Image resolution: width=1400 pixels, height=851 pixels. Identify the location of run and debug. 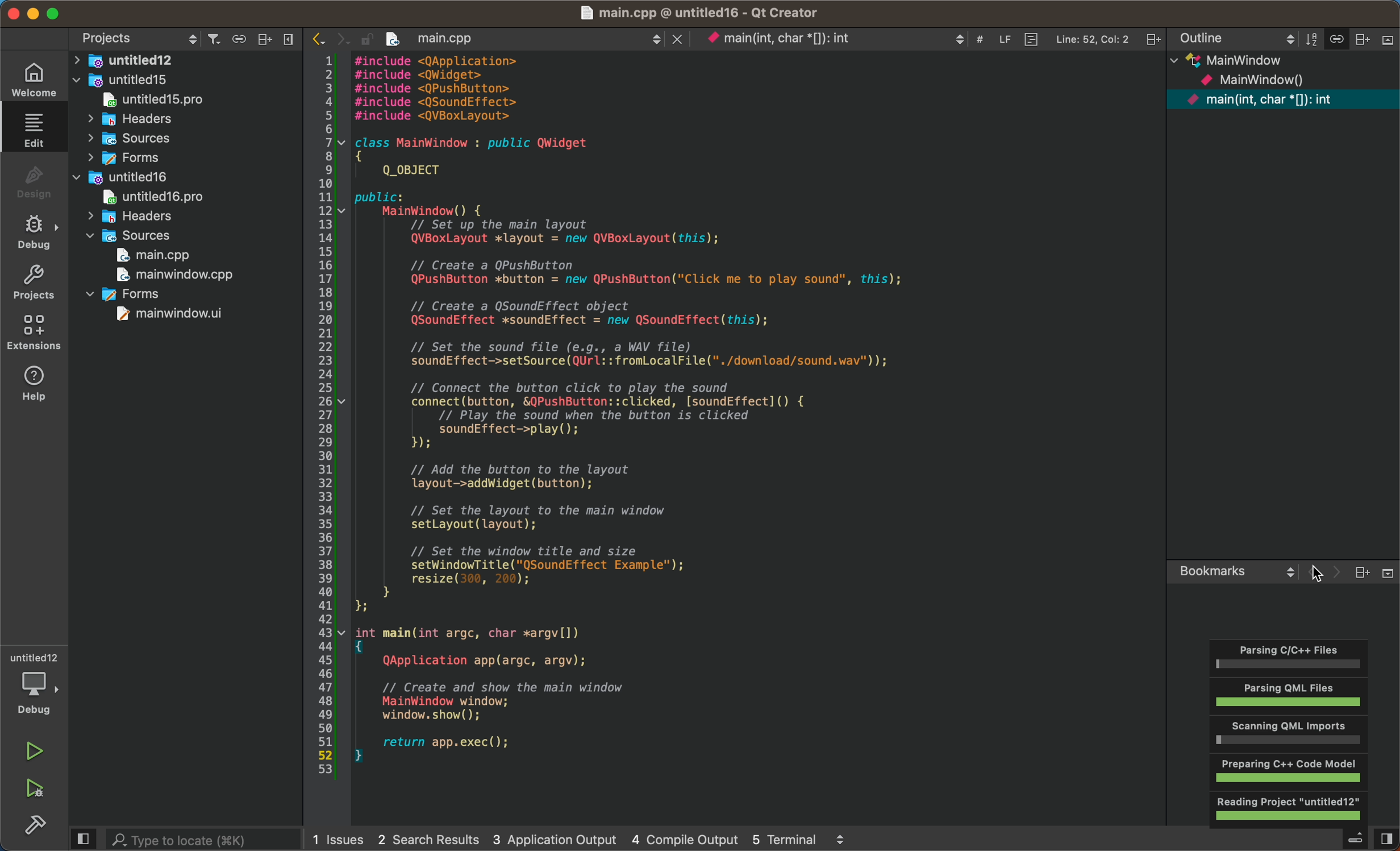
(34, 790).